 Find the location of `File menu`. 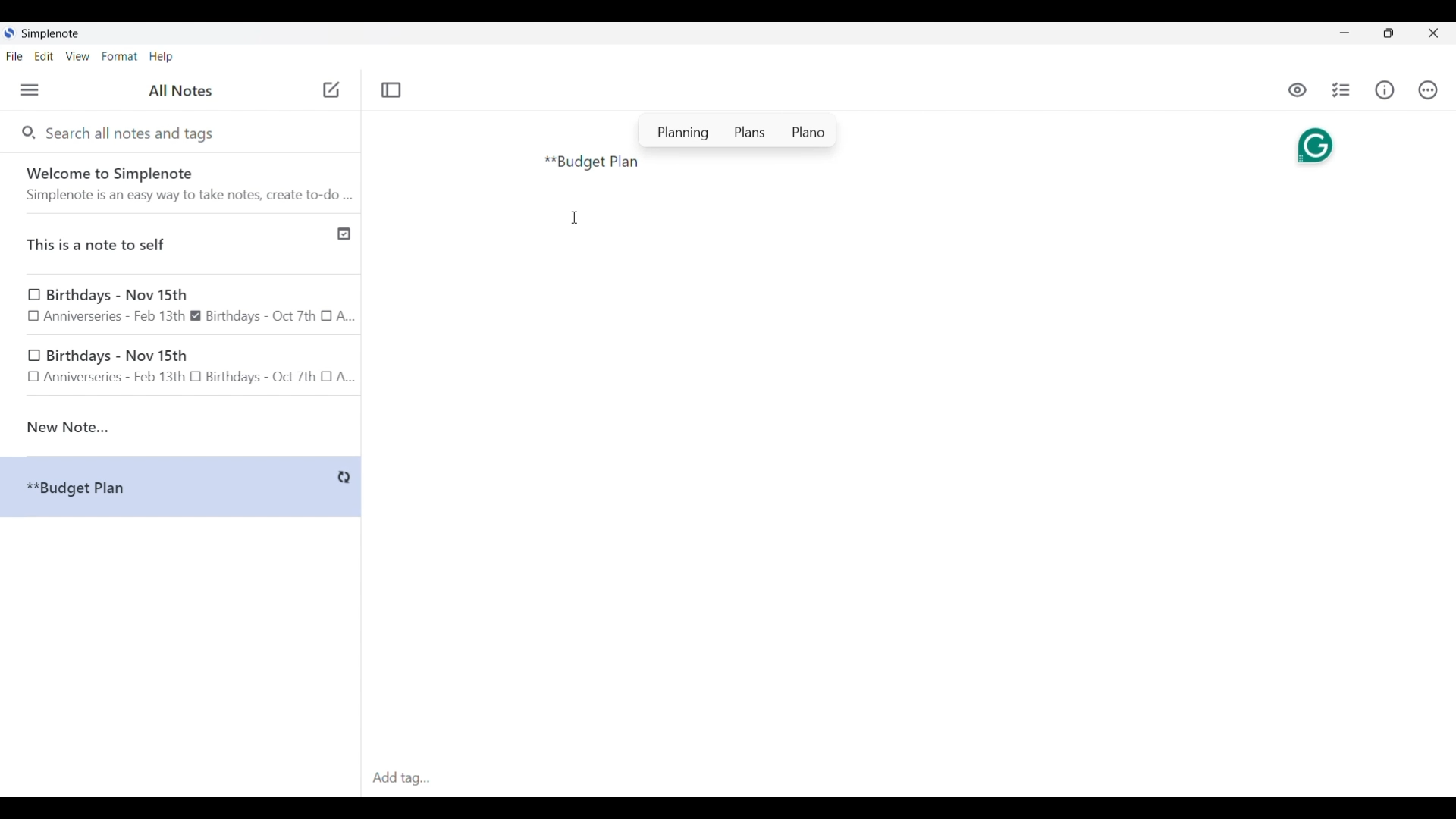

File menu is located at coordinates (14, 55).